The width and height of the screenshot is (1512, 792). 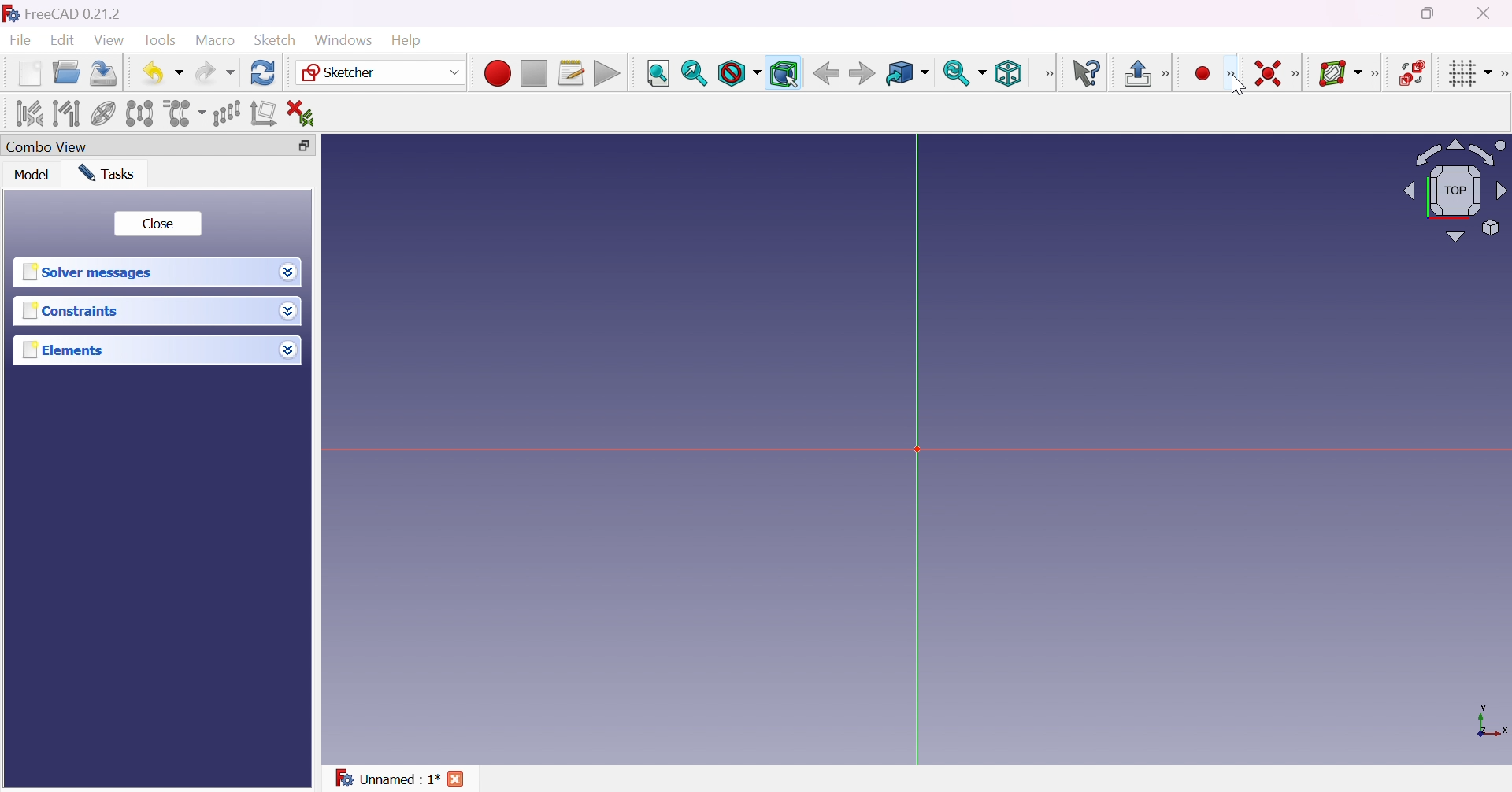 I want to click on Sketcher, so click(x=381, y=72).